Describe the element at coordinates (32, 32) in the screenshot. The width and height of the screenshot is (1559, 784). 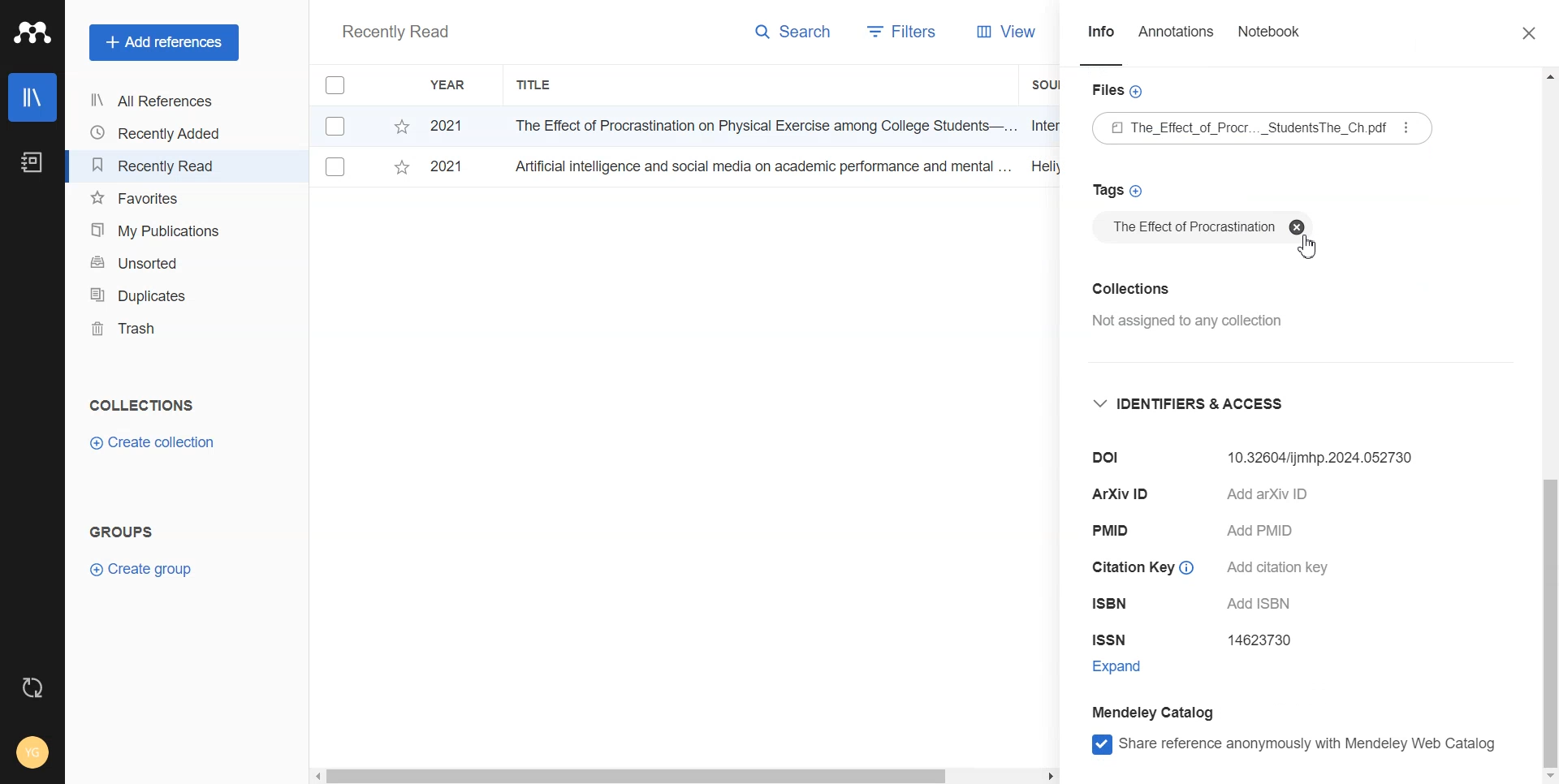
I see `Logo` at that location.